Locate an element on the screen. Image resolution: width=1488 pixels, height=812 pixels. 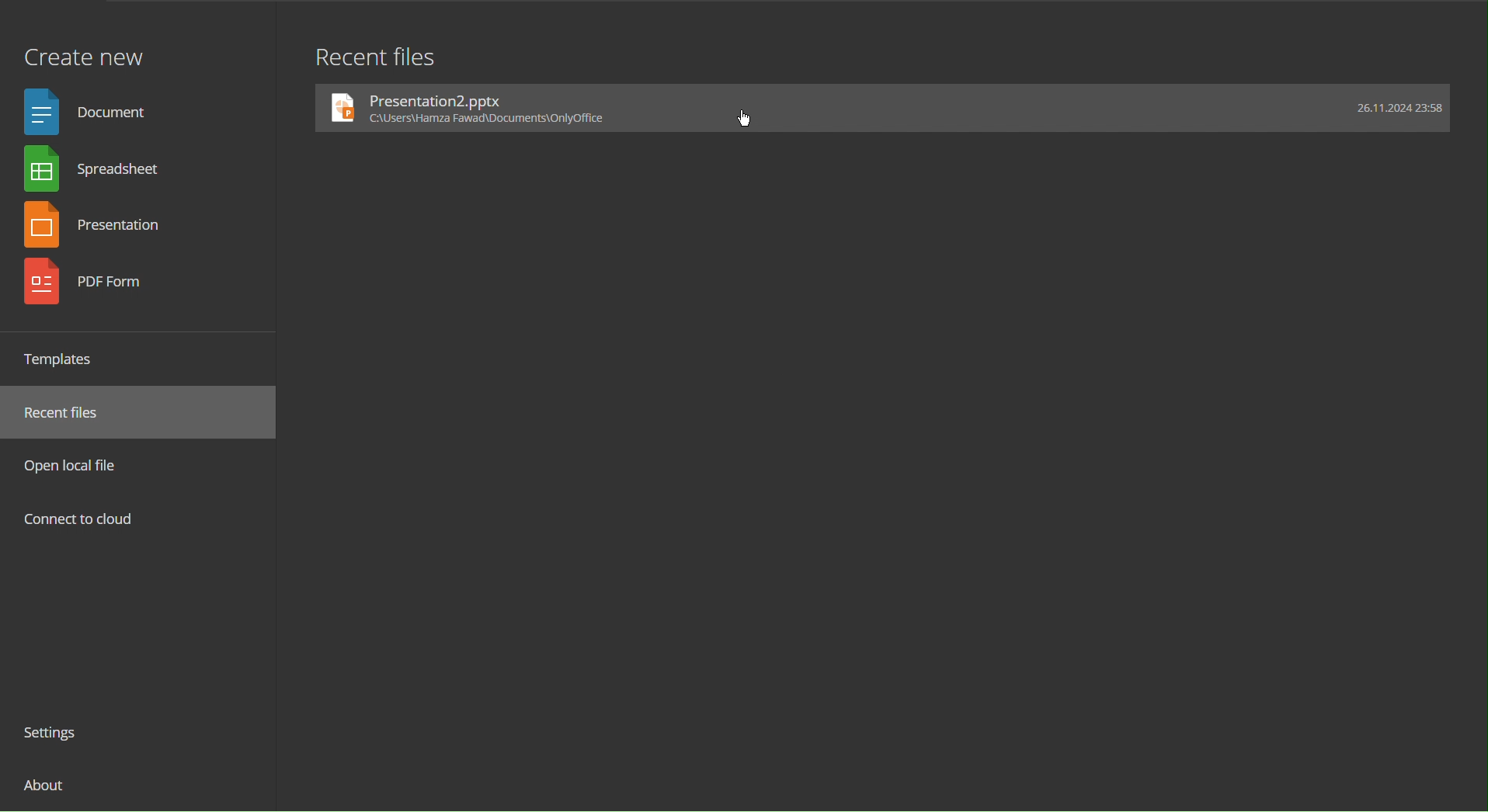
Create New is located at coordinates (83, 49).